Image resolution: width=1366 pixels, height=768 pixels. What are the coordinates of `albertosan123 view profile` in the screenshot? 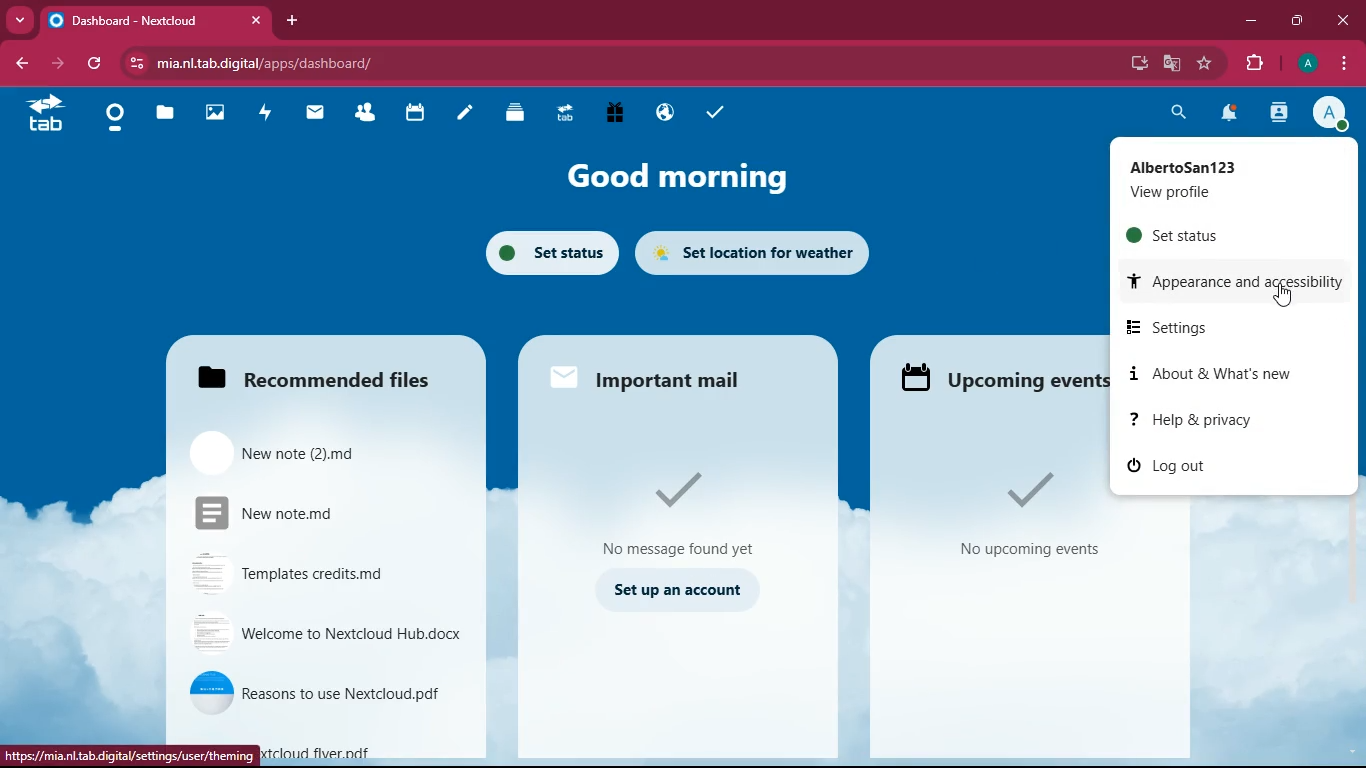 It's located at (1226, 177).